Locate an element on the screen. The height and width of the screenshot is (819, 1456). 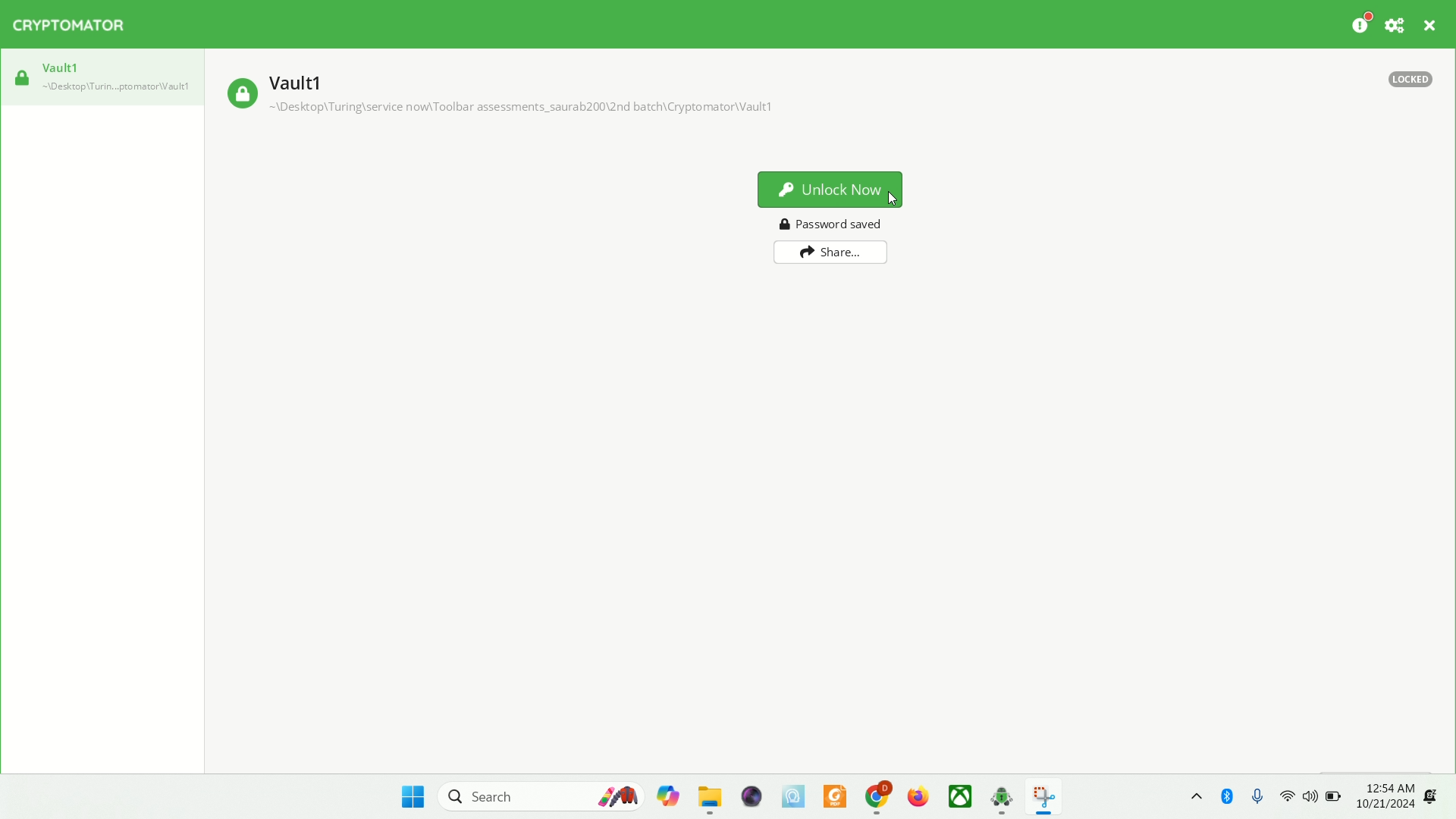
show hidden icons is located at coordinates (1197, 794).